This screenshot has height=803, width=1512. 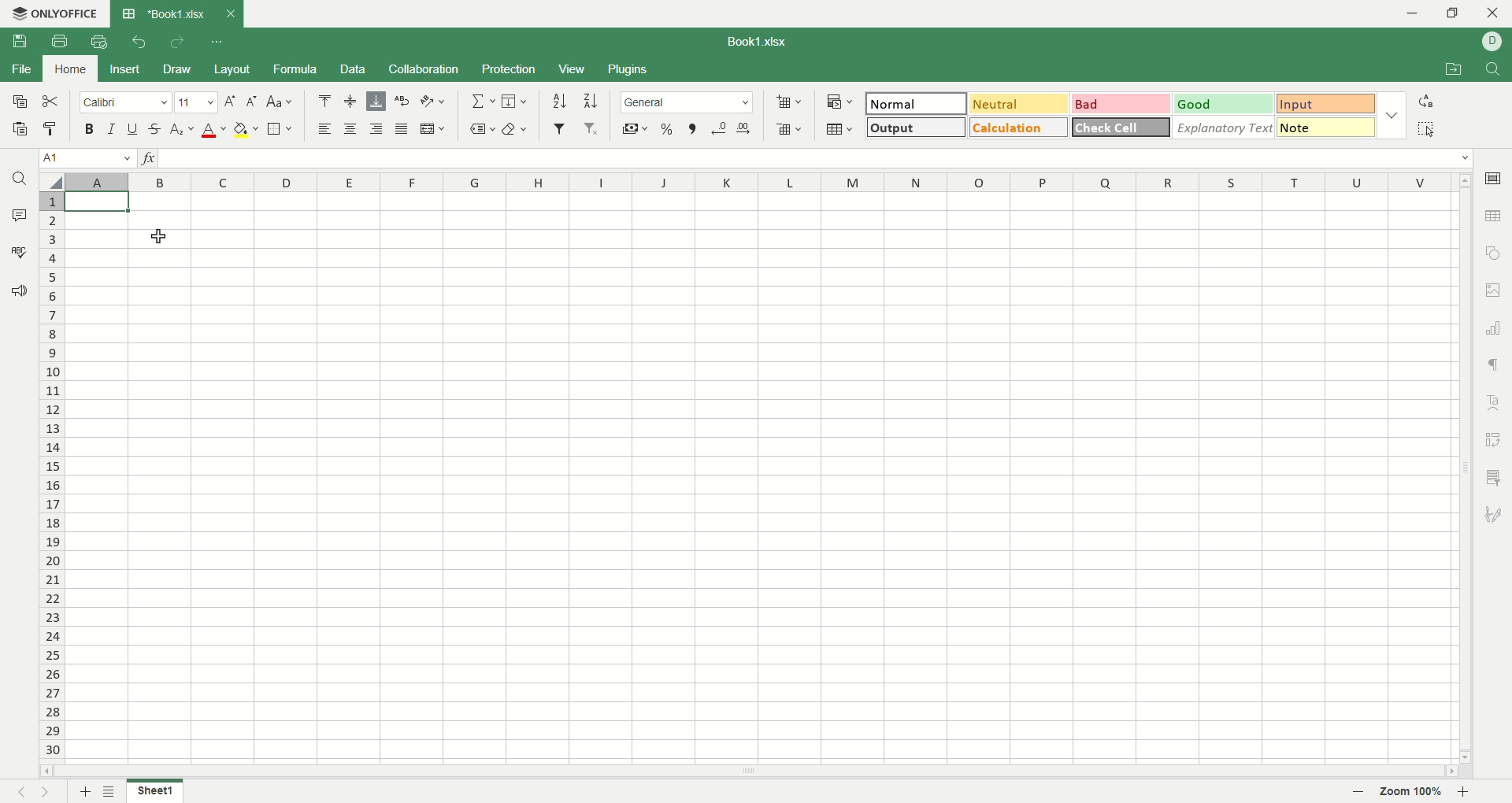 What do you see at coordinates (160, 235) in the screenshot?
I see `cursor` at bounding box center [160, 235].